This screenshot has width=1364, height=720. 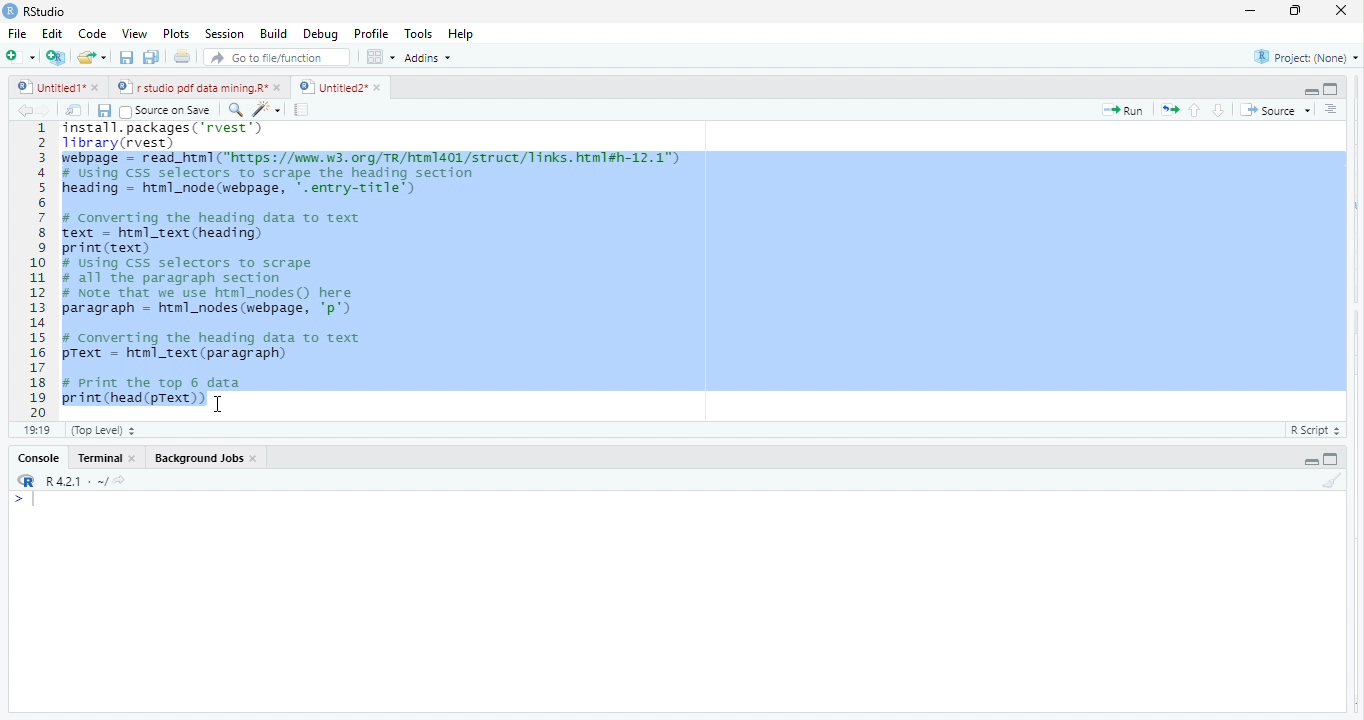 What do you see at coordinates (54, 57) in the screenshot?
I see `create a project` at bounding box center [54, 57].